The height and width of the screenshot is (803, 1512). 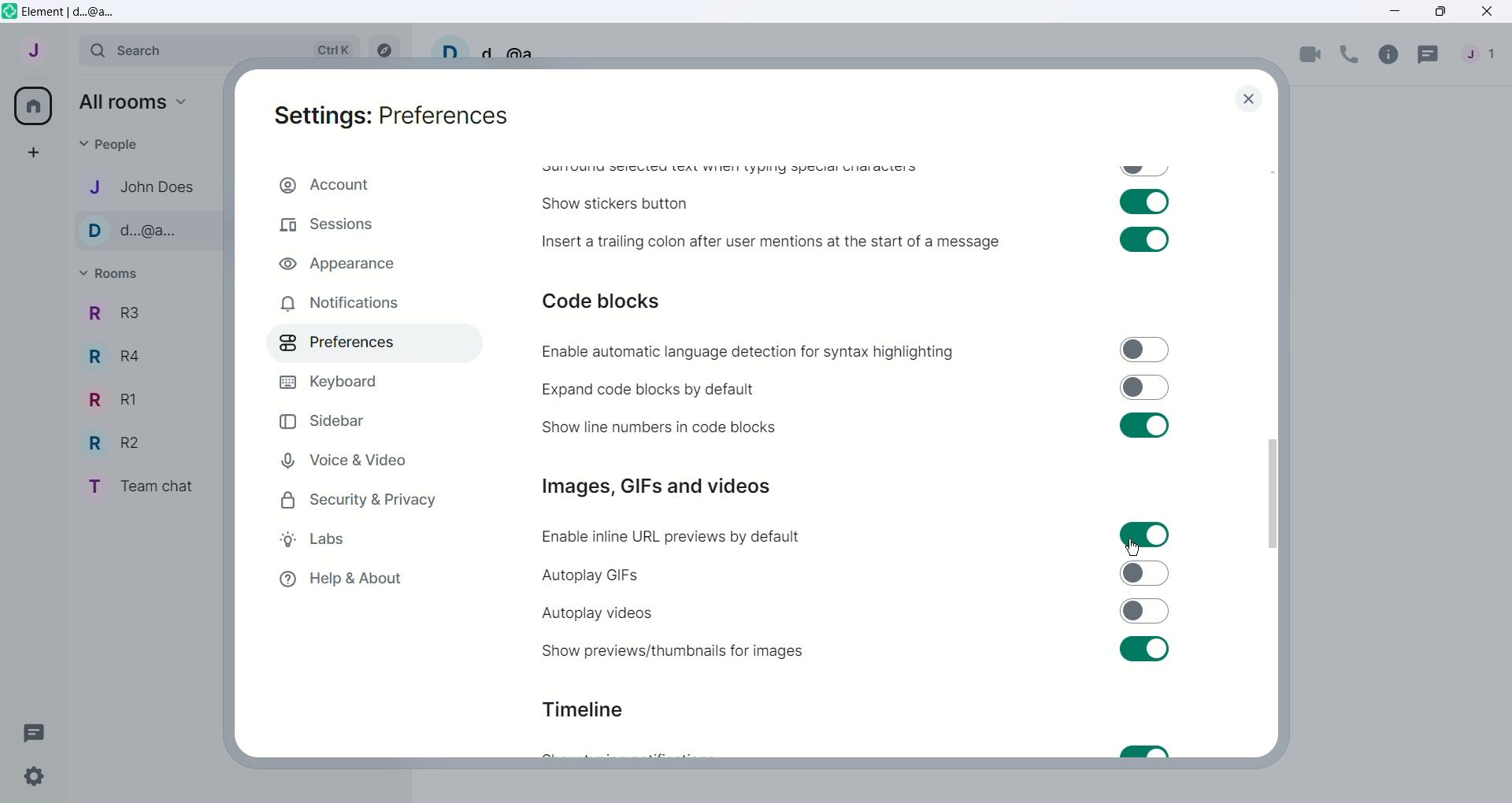 I want to click on People , so click(x=113, y=146).